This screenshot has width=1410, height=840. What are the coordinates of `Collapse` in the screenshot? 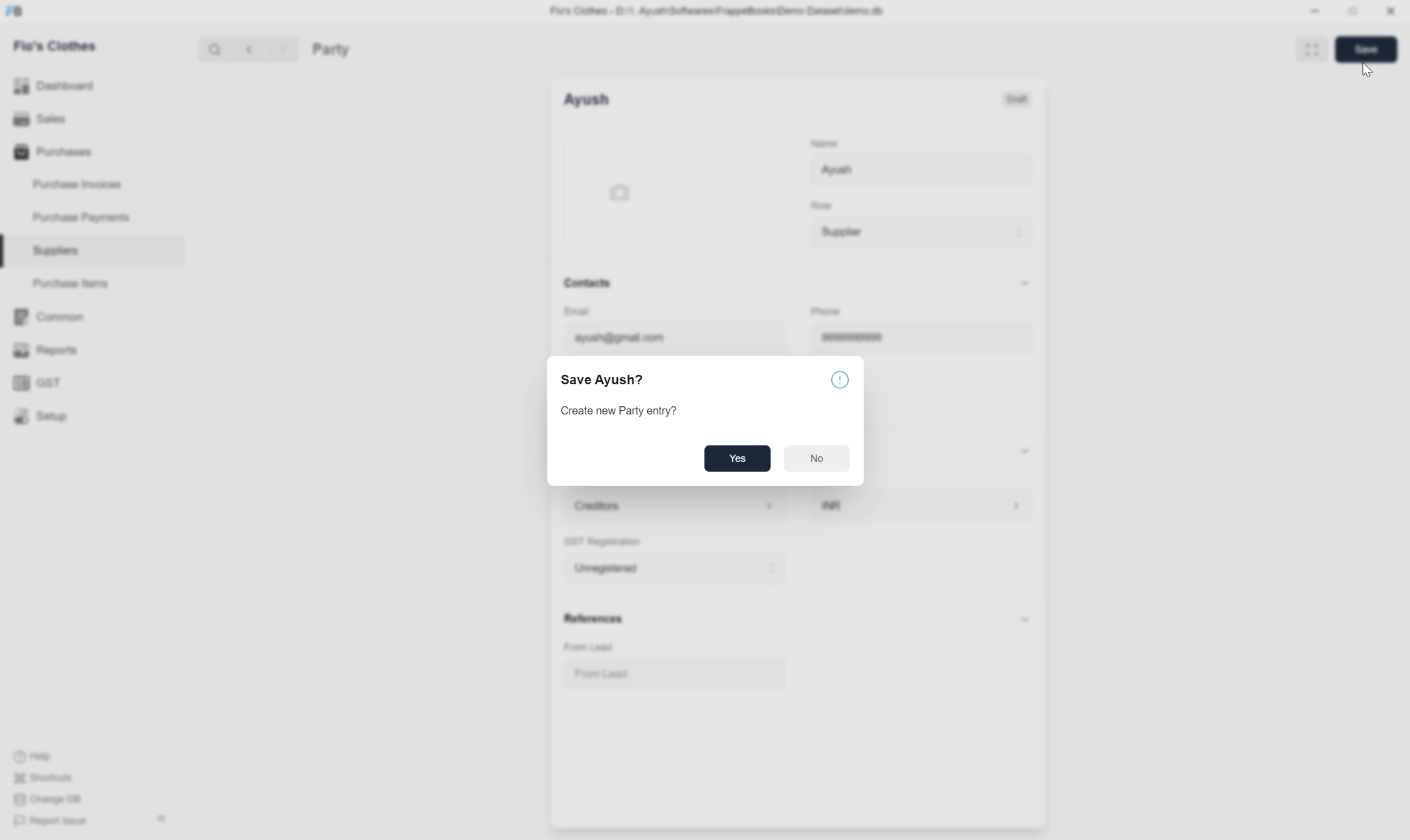 It's located at (1025, 451).